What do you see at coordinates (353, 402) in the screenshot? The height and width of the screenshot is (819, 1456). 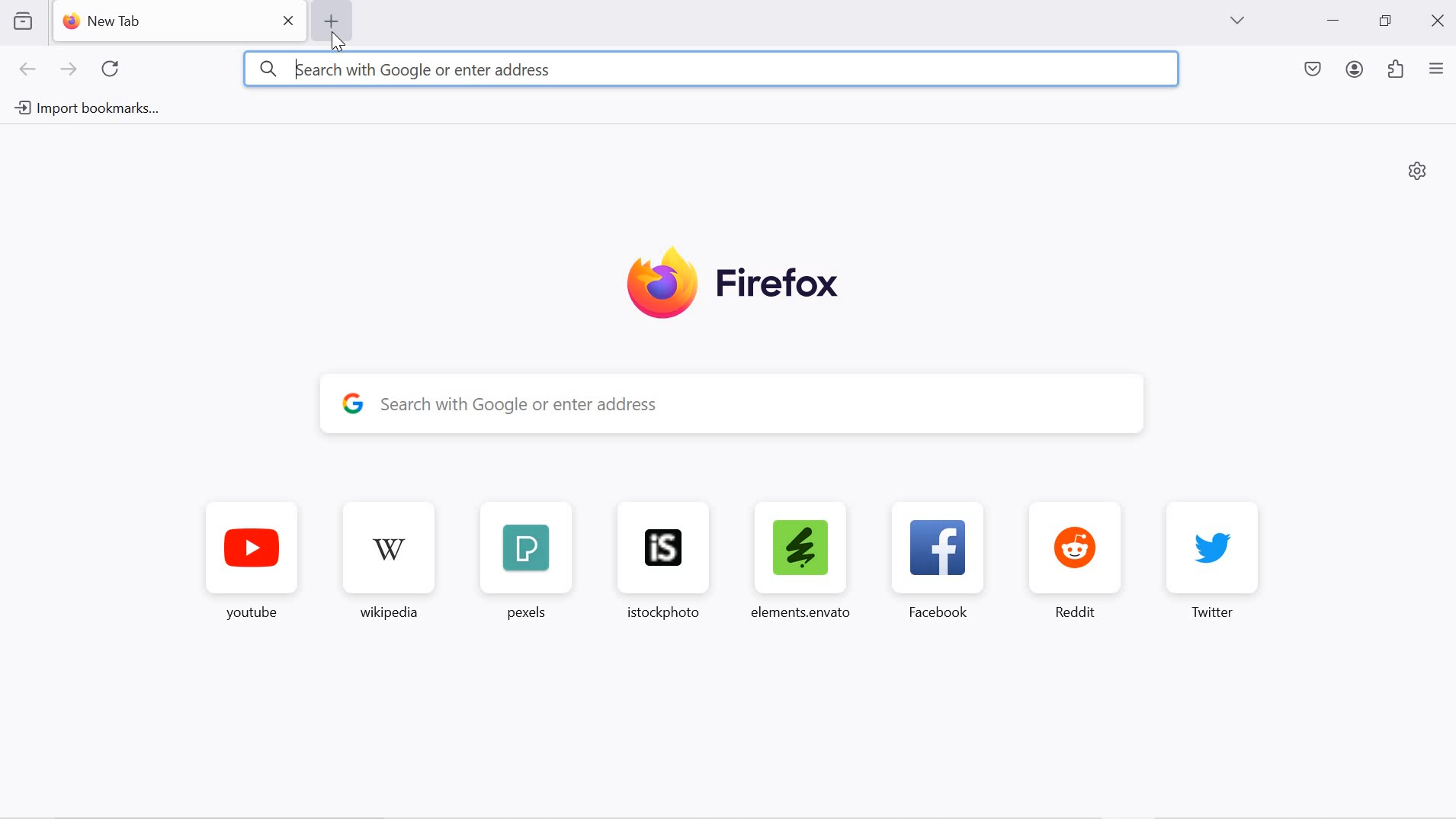 I see `google logo` at bounding box center [353, 402].